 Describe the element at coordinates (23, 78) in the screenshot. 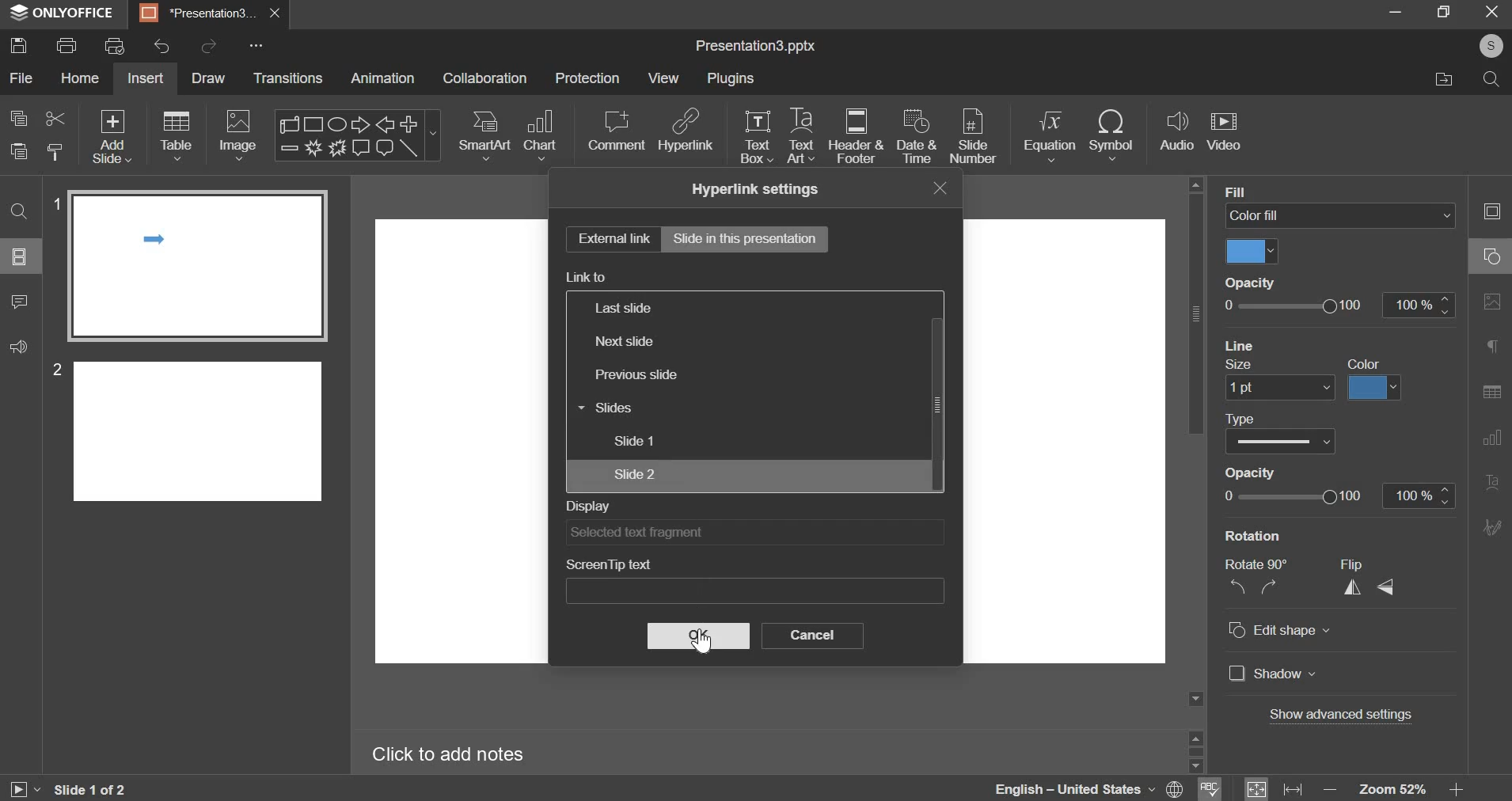

I see `file` at that location.